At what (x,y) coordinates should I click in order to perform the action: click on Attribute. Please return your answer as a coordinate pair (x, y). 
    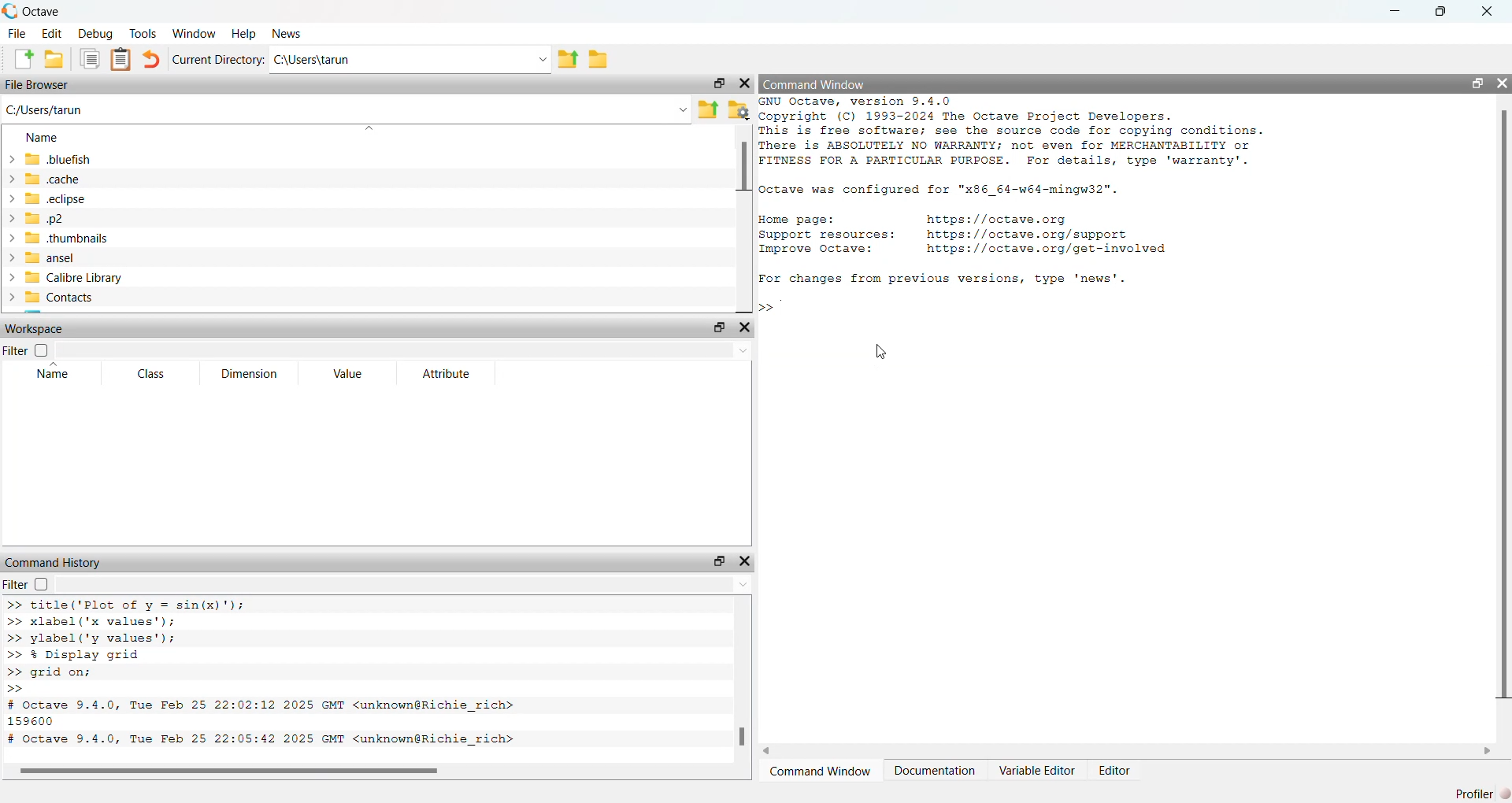
    Looking at the image, I should click on (447, 375).